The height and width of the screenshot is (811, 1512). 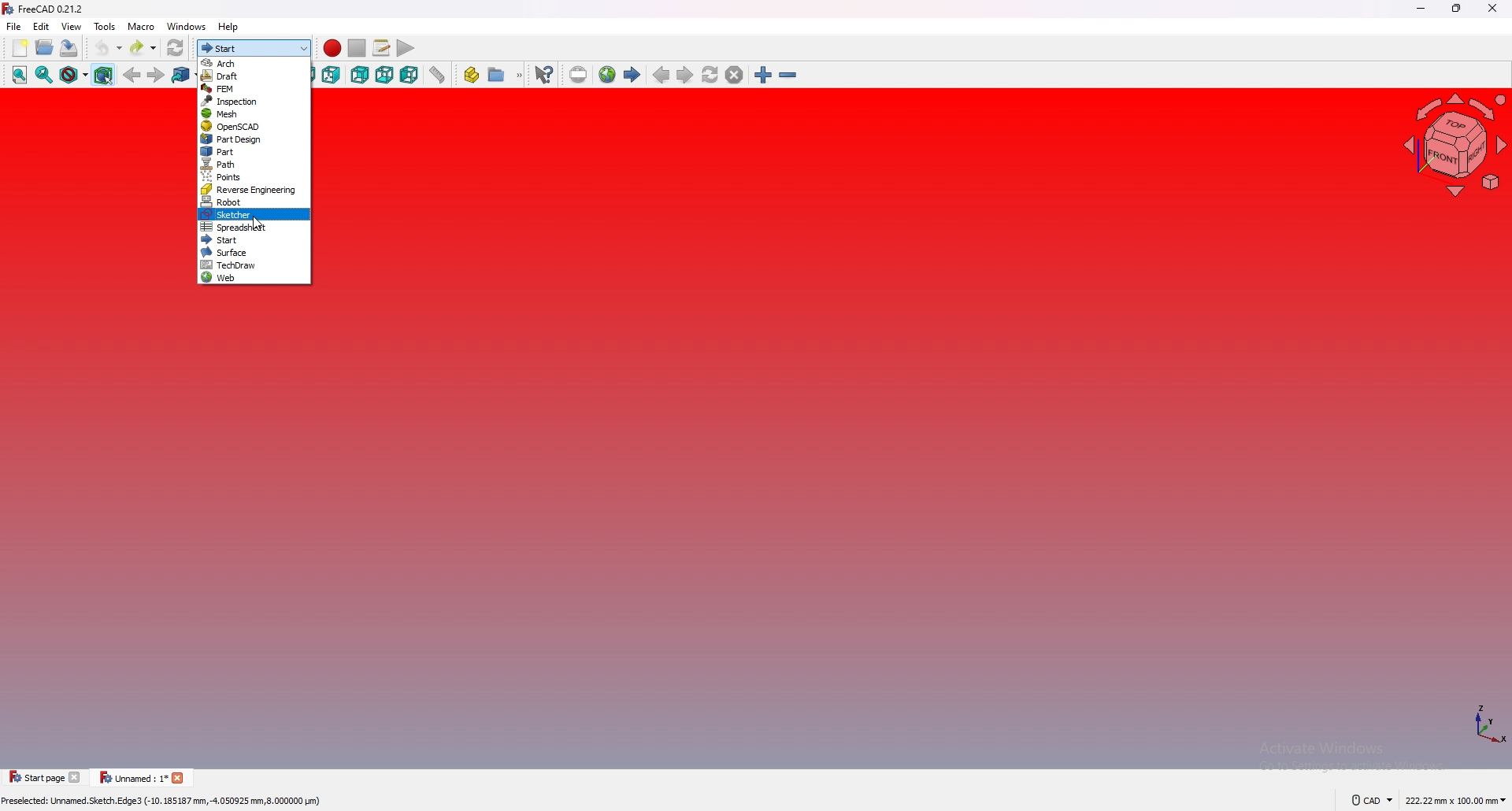 What do you see at coordinates (661, 75) in the screenshot?
I see `previous page` at bounding box center [661, 75].